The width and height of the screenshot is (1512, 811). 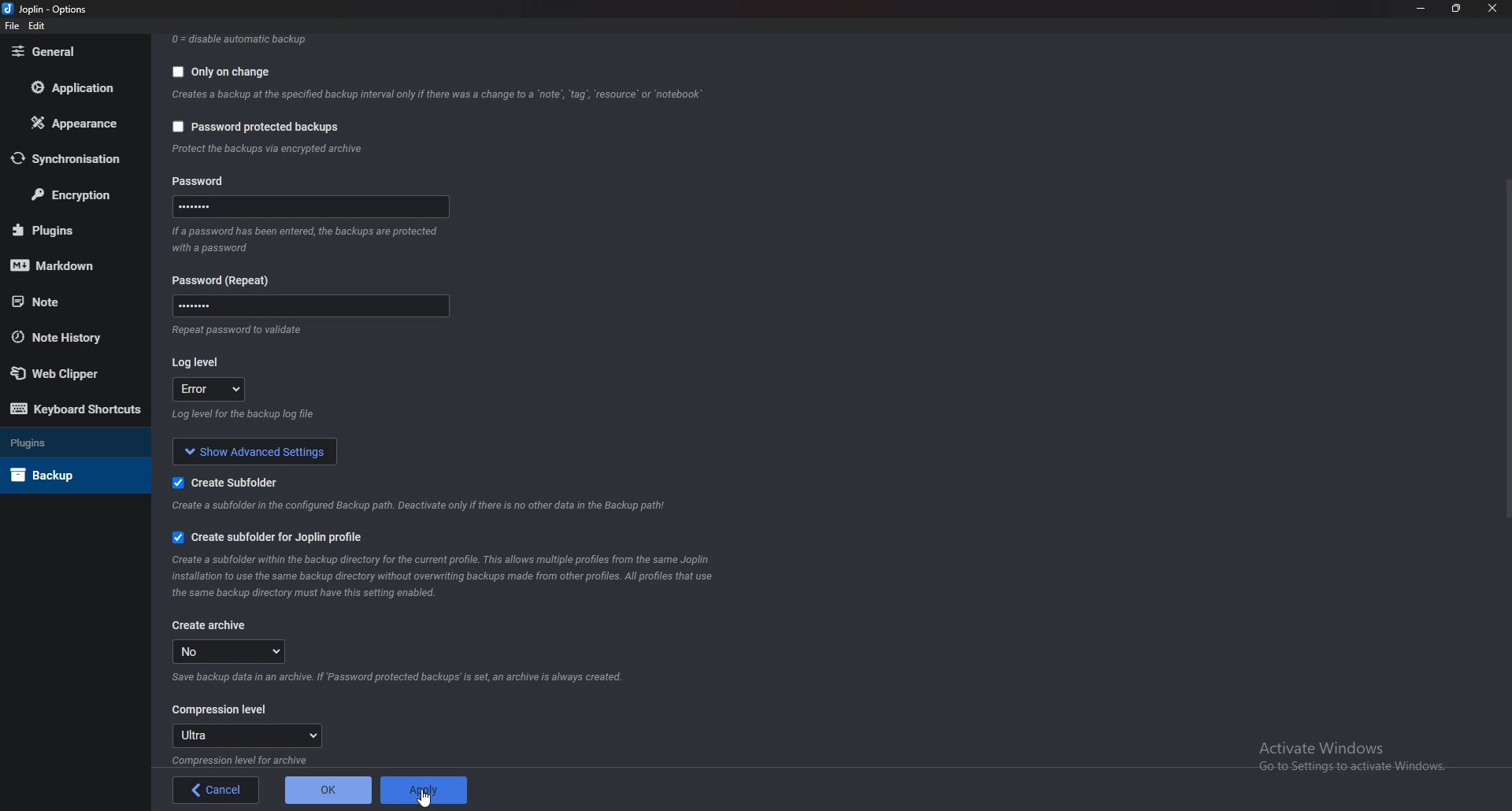 What do you see at coordinates (278, 149) in the screenshot?
I see `info` at bounding box center [278, 149].